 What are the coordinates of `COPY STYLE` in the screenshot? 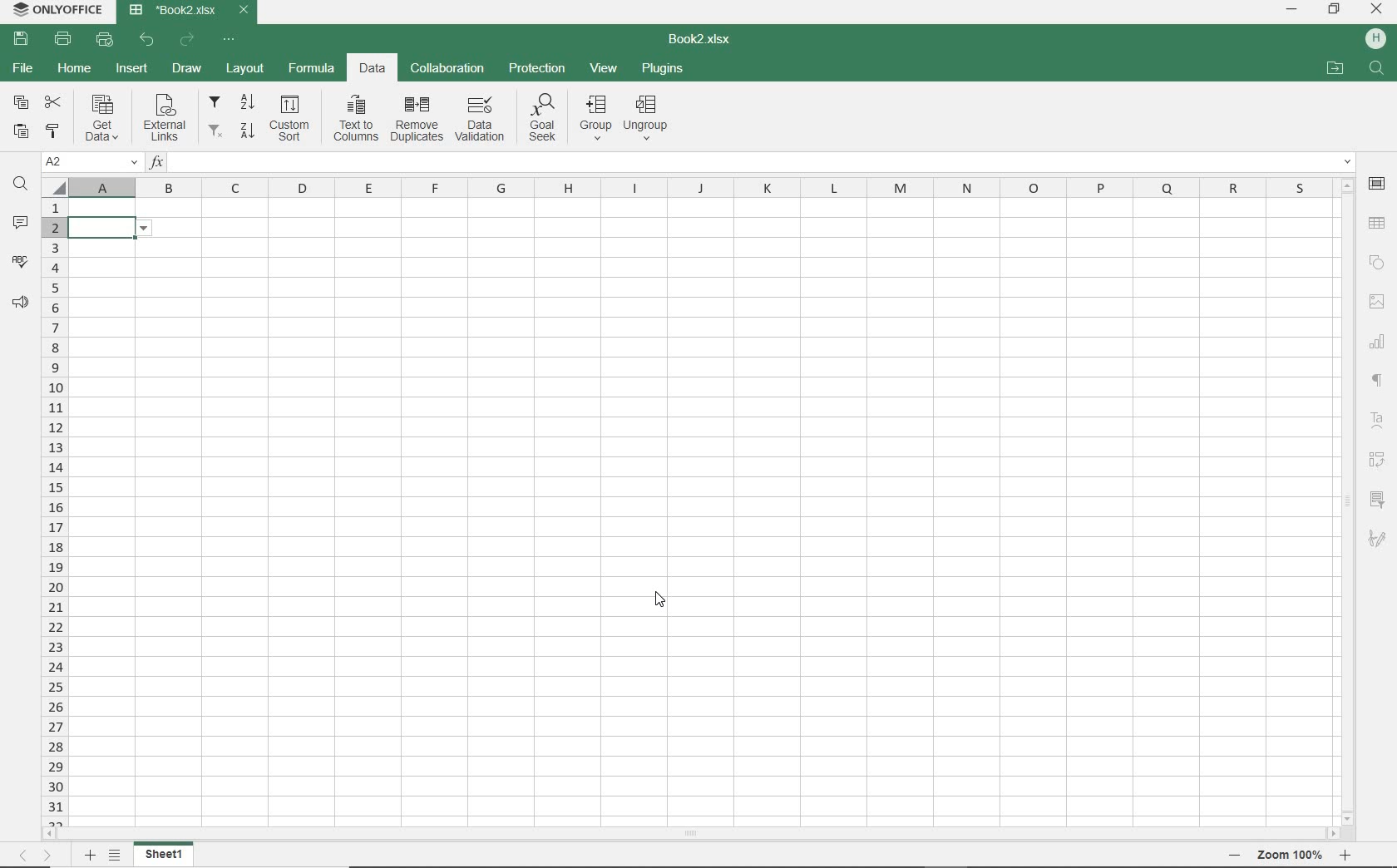 It's located at (54, 132).